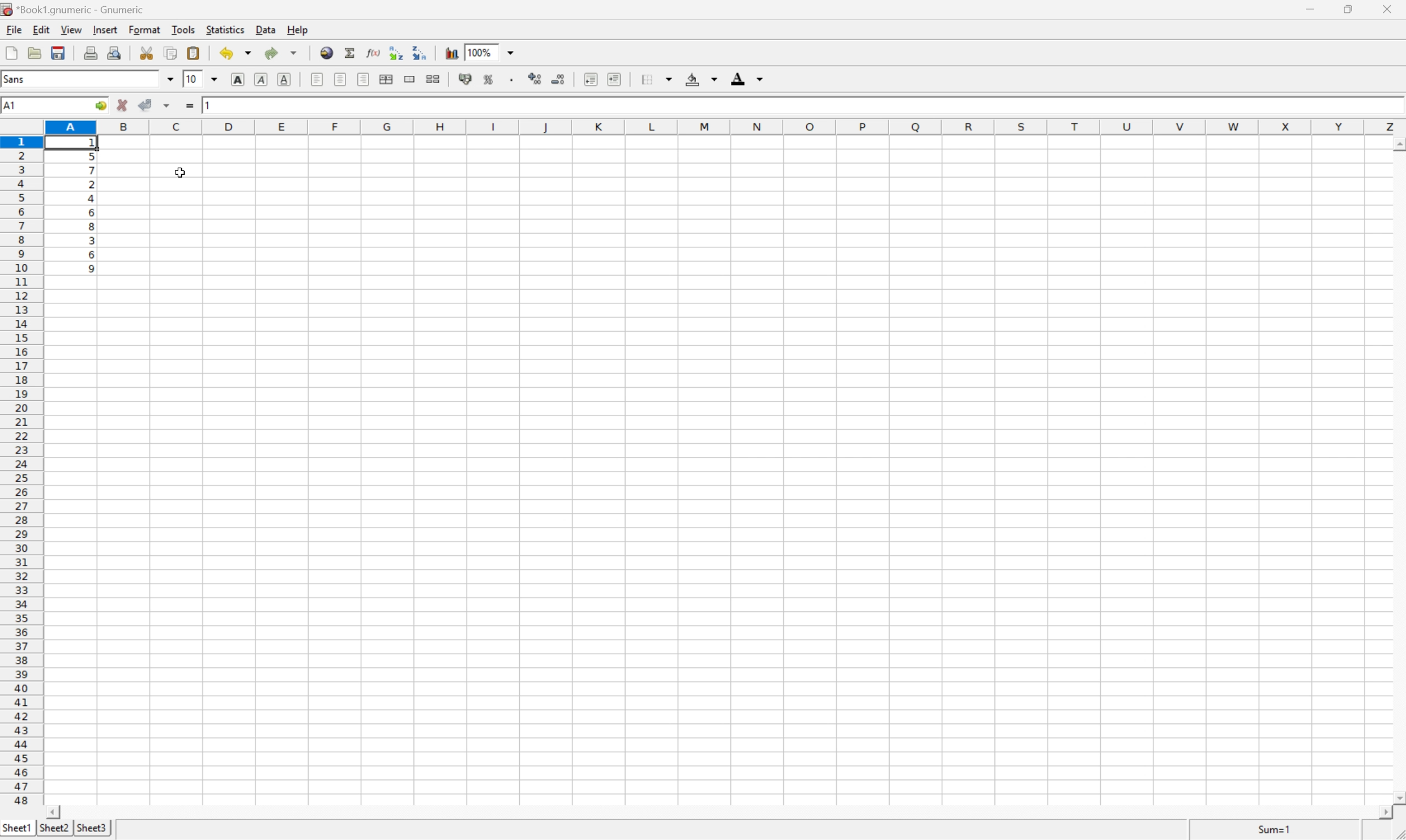  What do you see at coordinates (170, 52) in the screenshot?
I see `copy` at bounding box center [170, 52].